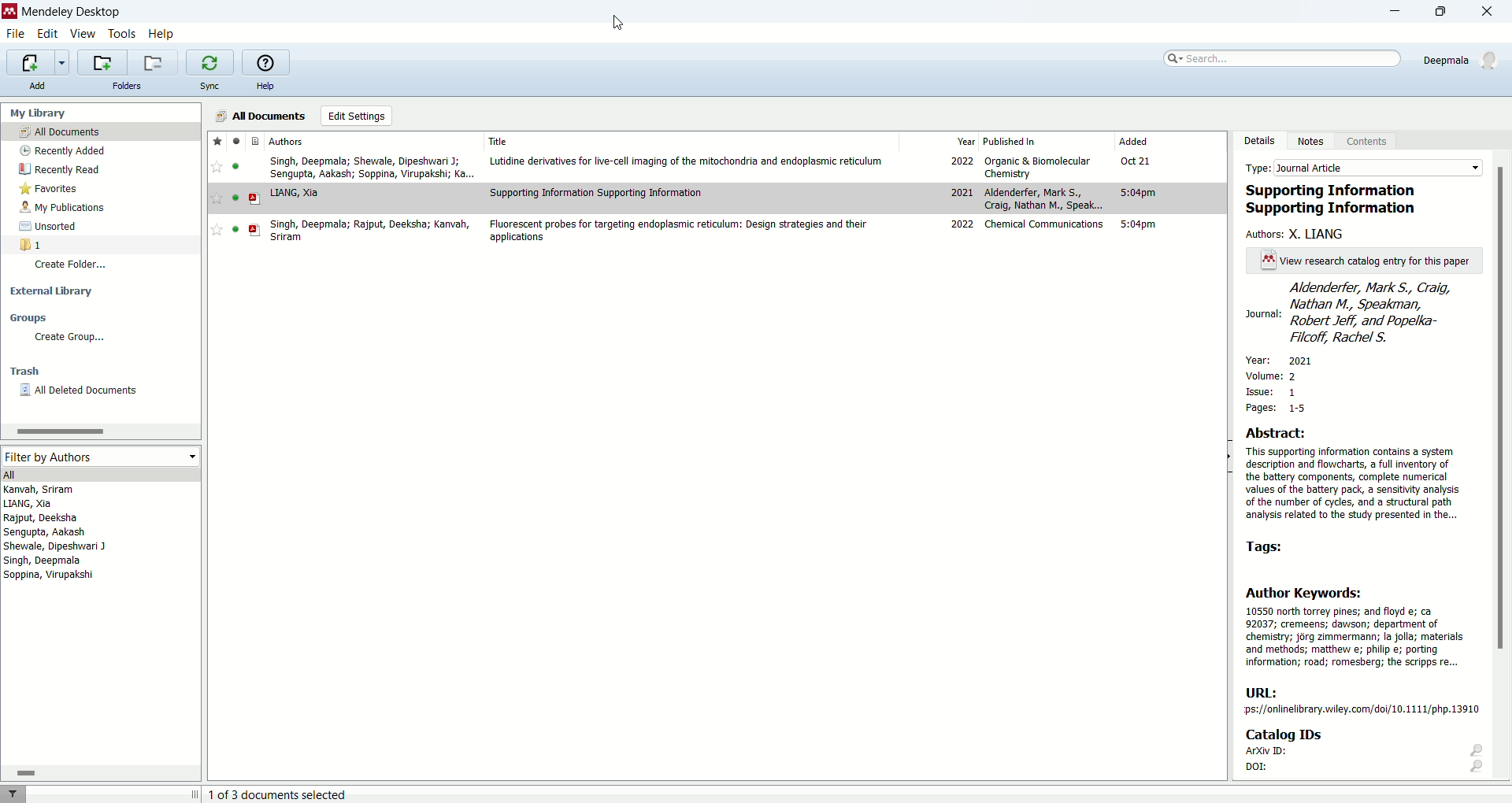 The height and width of the screenshot is (803, 1512). I want to click on Fluorescent probes for targeting endoplasmic reticulum: Design strategies and their applications, so click(677, 231).